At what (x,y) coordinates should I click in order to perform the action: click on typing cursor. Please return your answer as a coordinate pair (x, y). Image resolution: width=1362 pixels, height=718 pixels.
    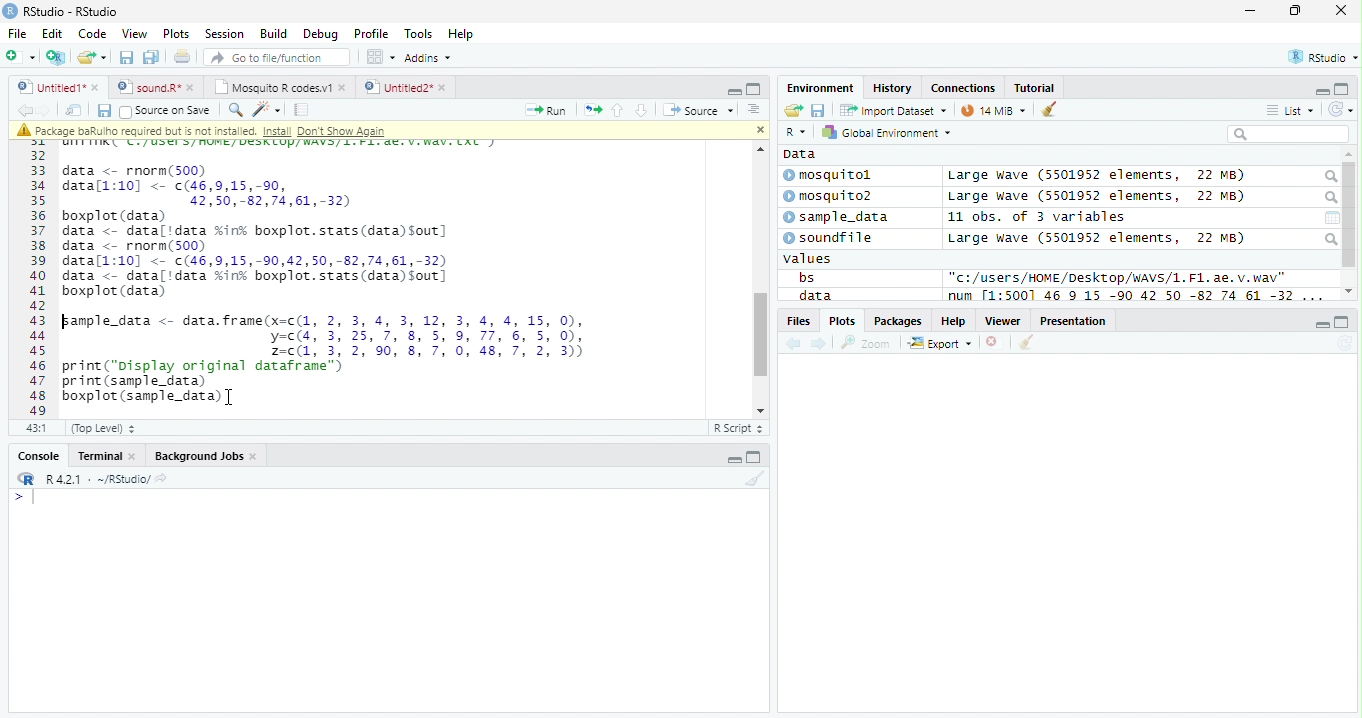
    Looking at the image, I should click on (24, 498).